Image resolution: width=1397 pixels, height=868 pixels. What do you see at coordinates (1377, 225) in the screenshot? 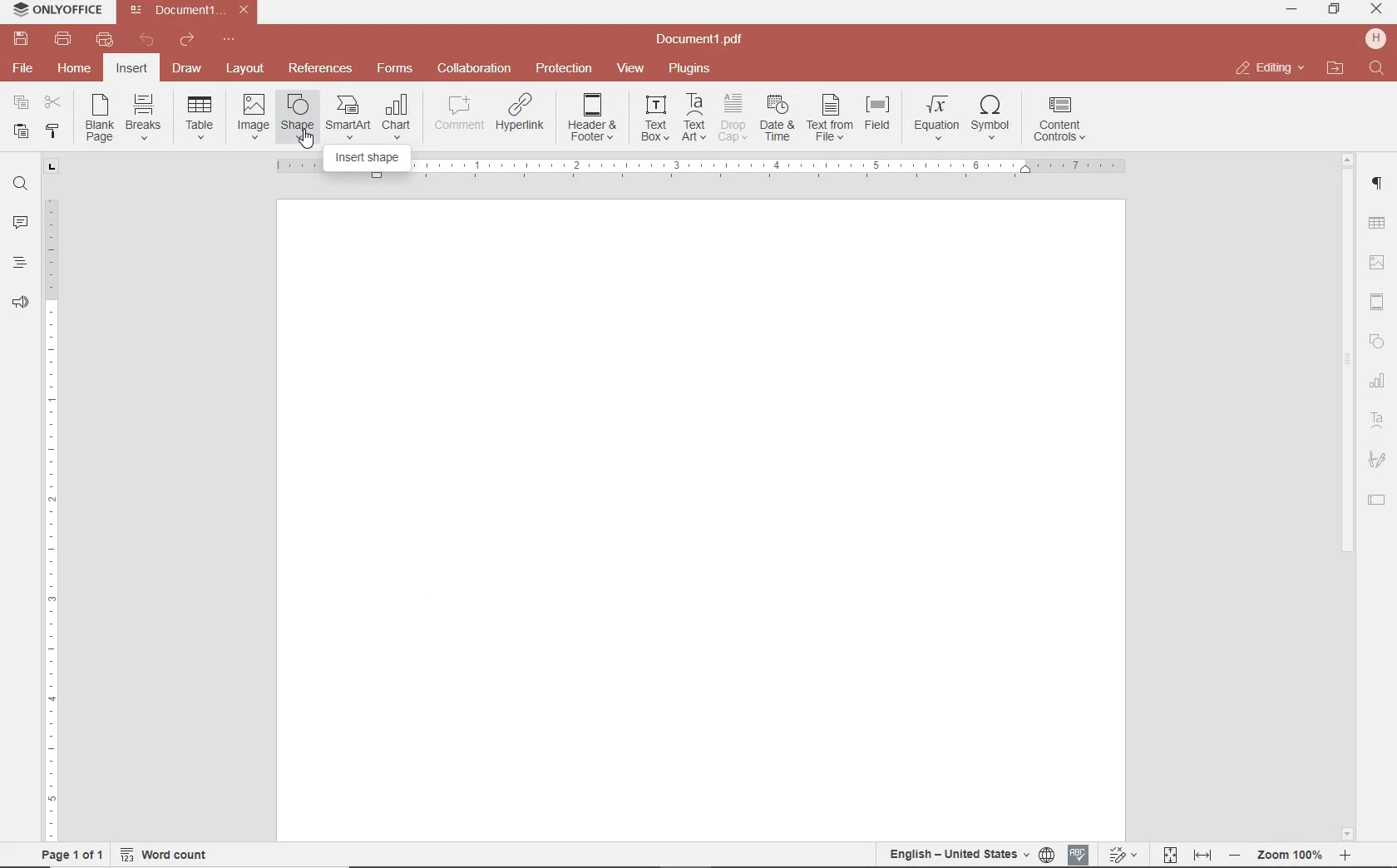
I see `TABLE` at bounding box center [1377, 225].